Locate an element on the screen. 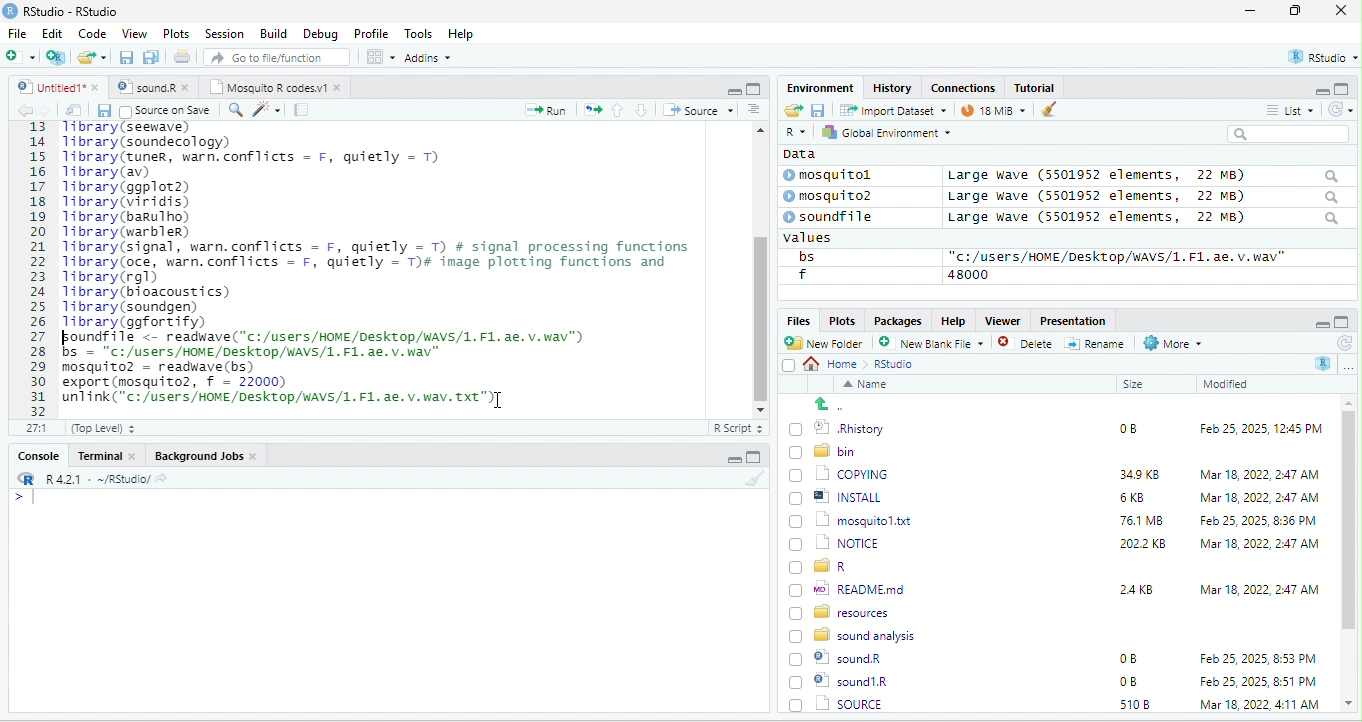  new is located at coordinates (20, 55).